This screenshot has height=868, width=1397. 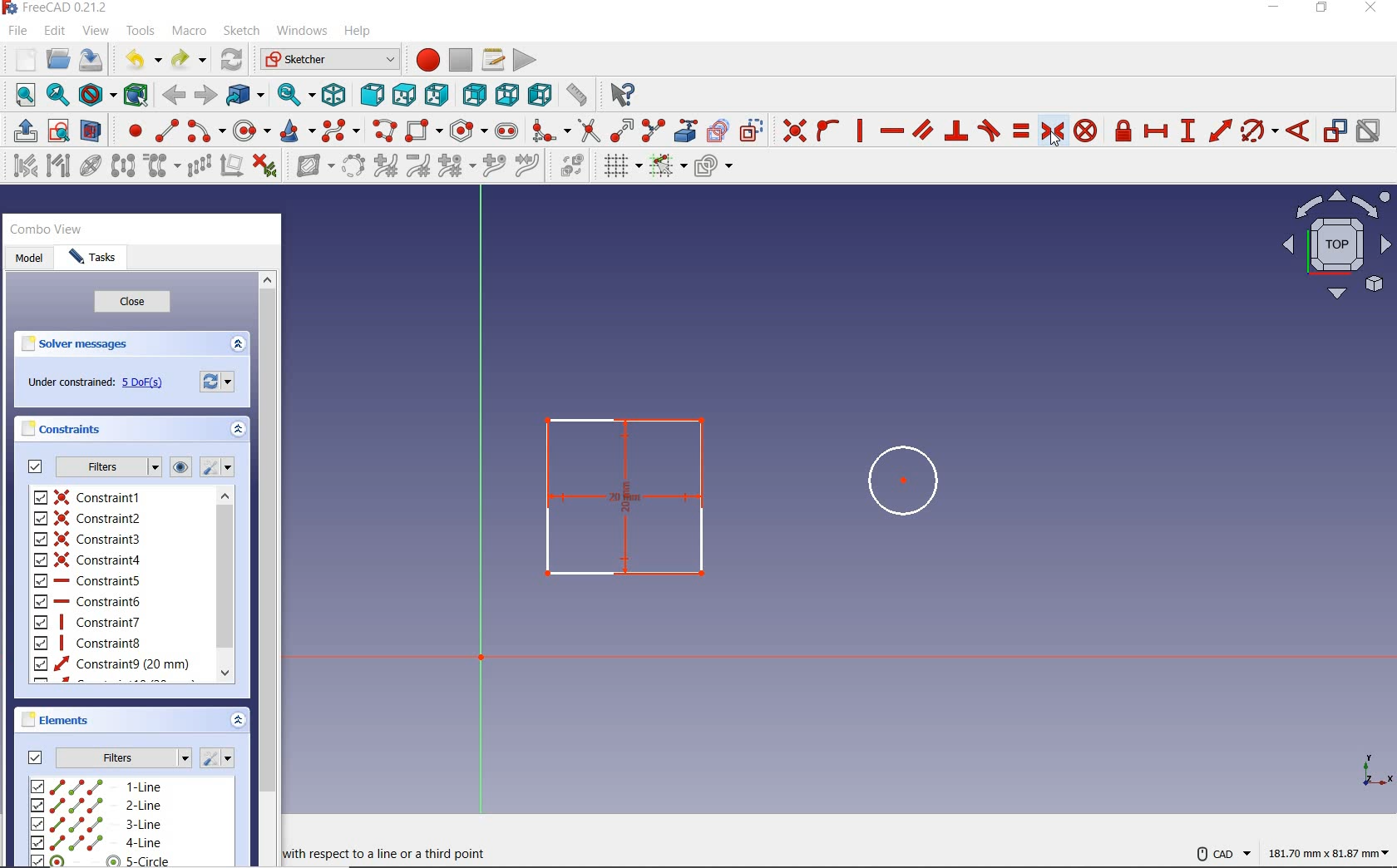 What do you see at coordinates (1259, 131) in the screenshot?
I see `constrain arc or circle` at bounding box center [1259, 131].